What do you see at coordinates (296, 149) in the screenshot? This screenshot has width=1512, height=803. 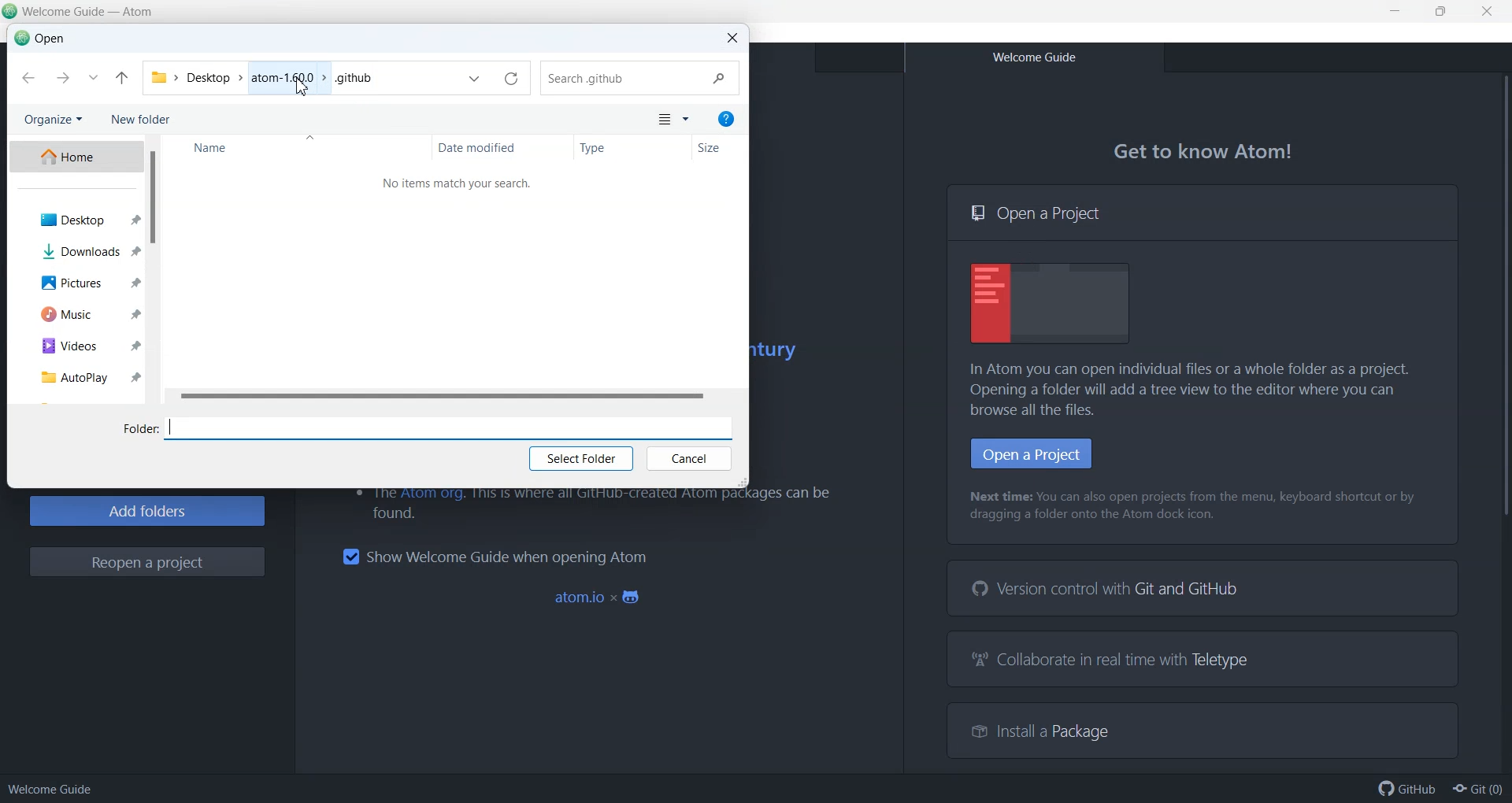 I see `Name` at bounding box center [296, 149].